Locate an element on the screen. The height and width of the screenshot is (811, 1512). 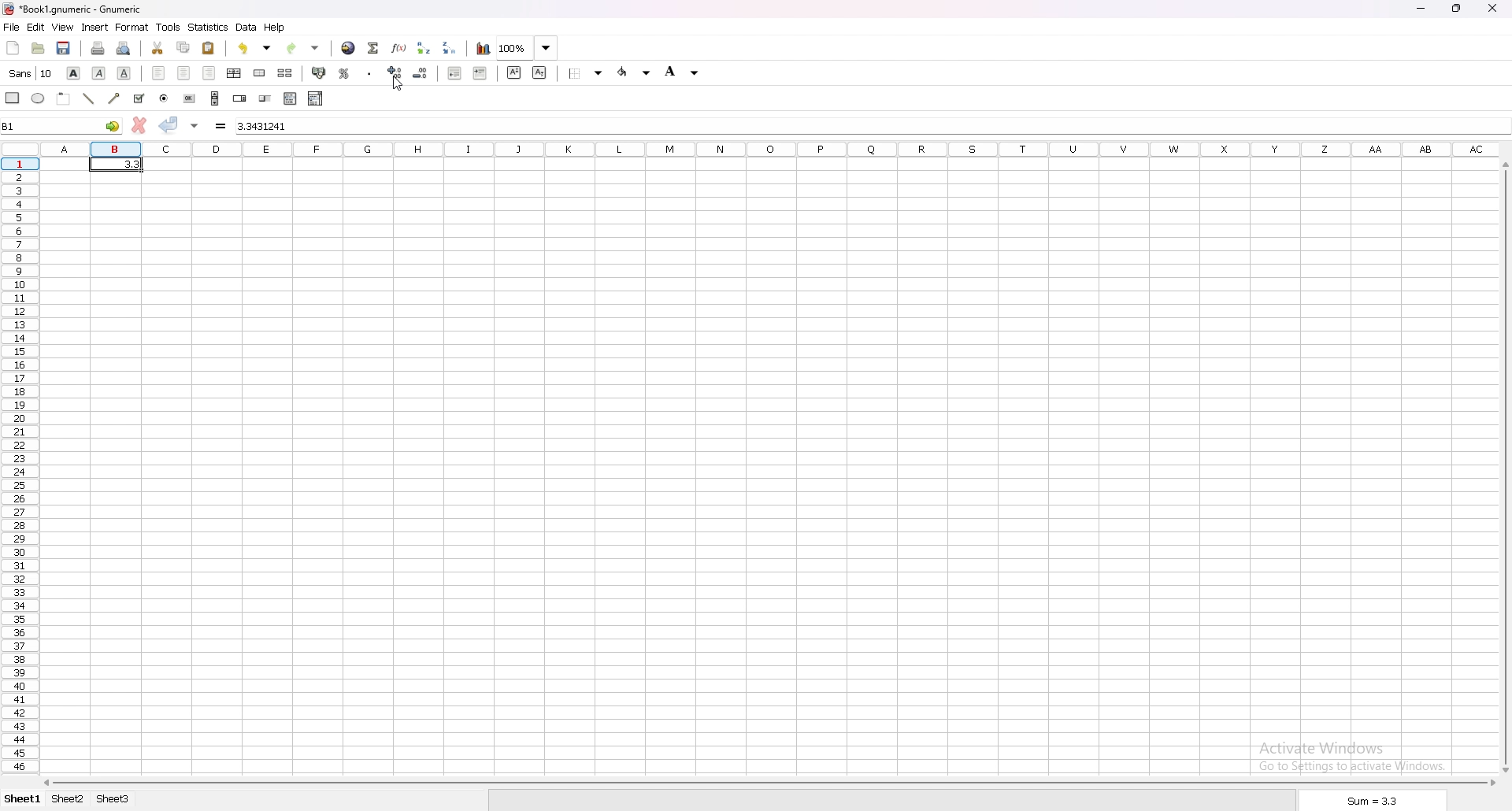
decrease decimal is located at coordinates (418, 74).